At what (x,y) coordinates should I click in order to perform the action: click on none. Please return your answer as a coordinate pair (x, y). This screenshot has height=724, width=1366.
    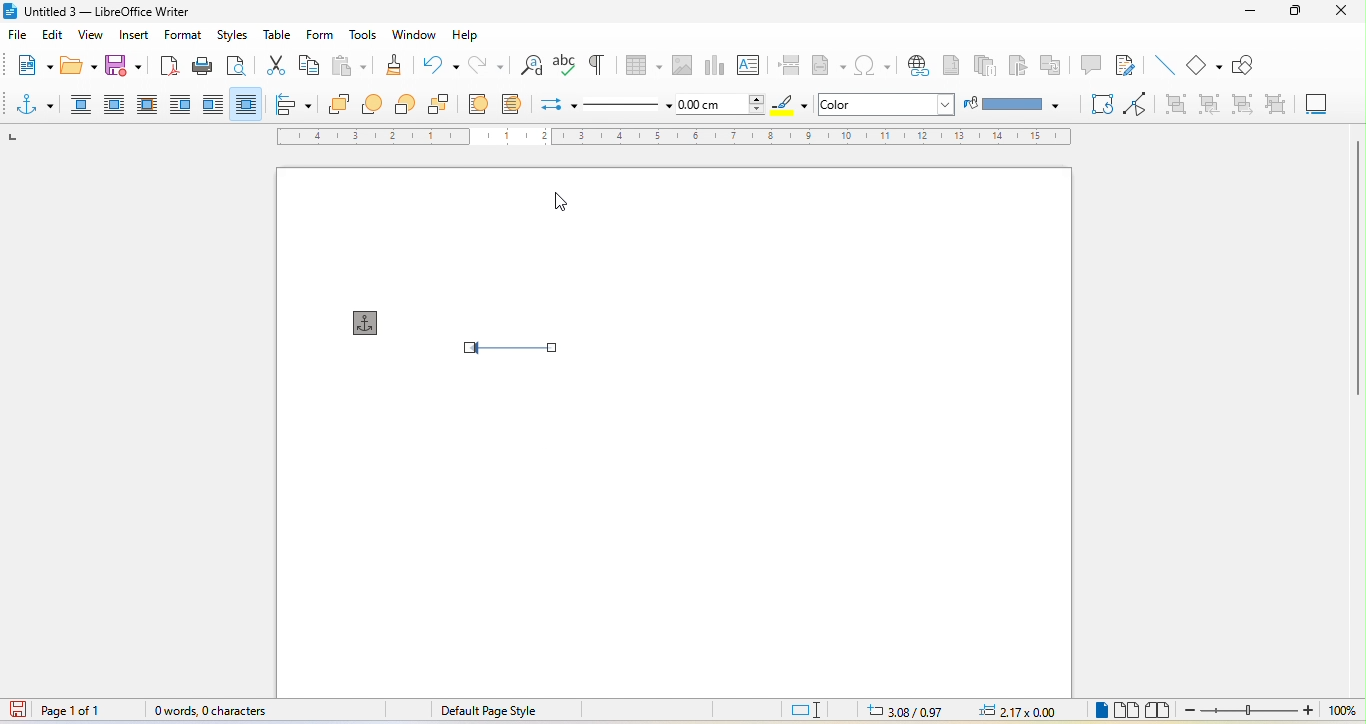
    Looking at the image, I should click on (81, 106).